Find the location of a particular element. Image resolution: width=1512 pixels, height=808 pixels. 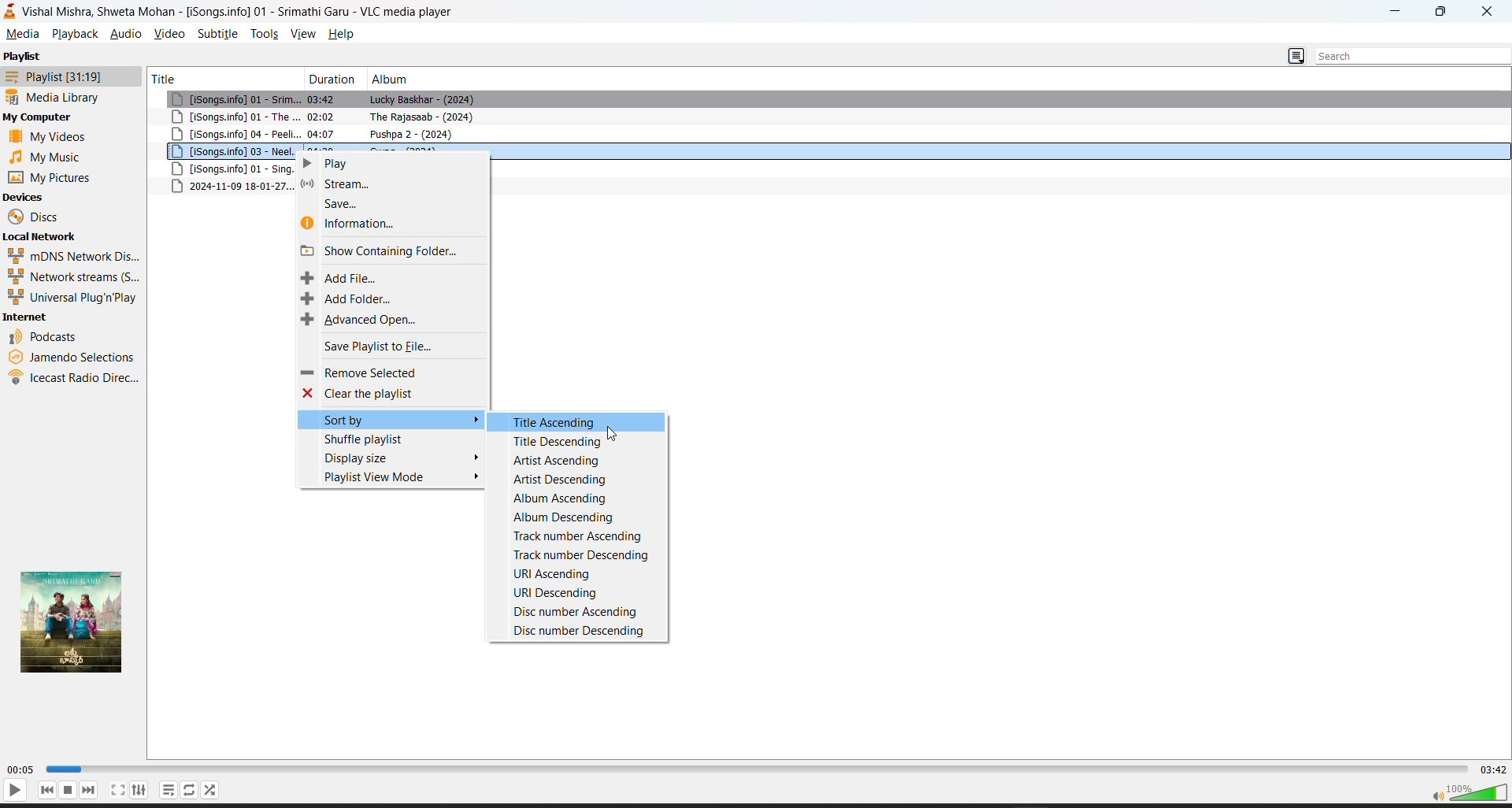

mdns network is located at coordinates (73, 256).